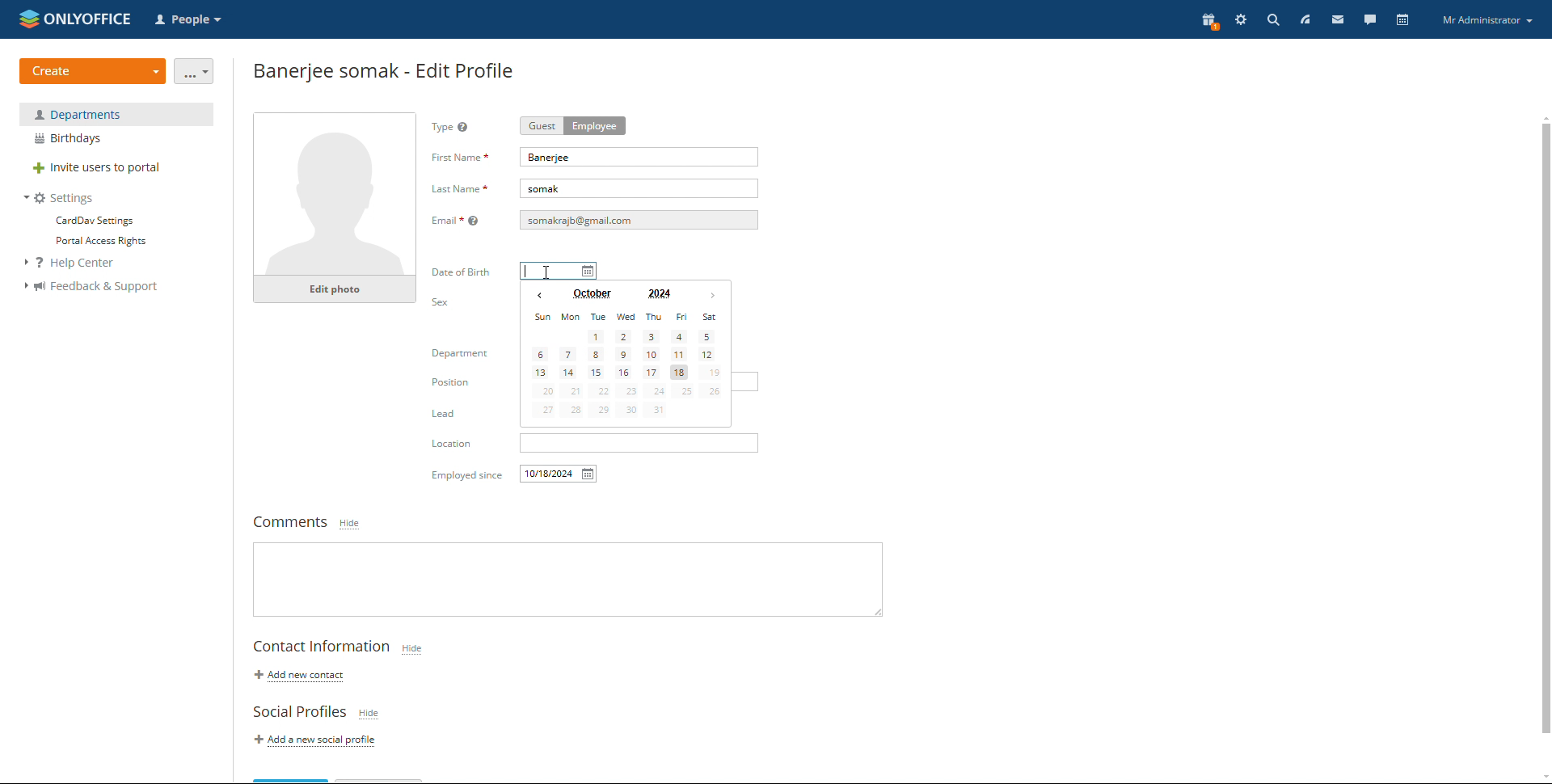  What do you see at coordinates (452, 446) in the screenshot?
I see `Location` at bounding box center [452, 446].